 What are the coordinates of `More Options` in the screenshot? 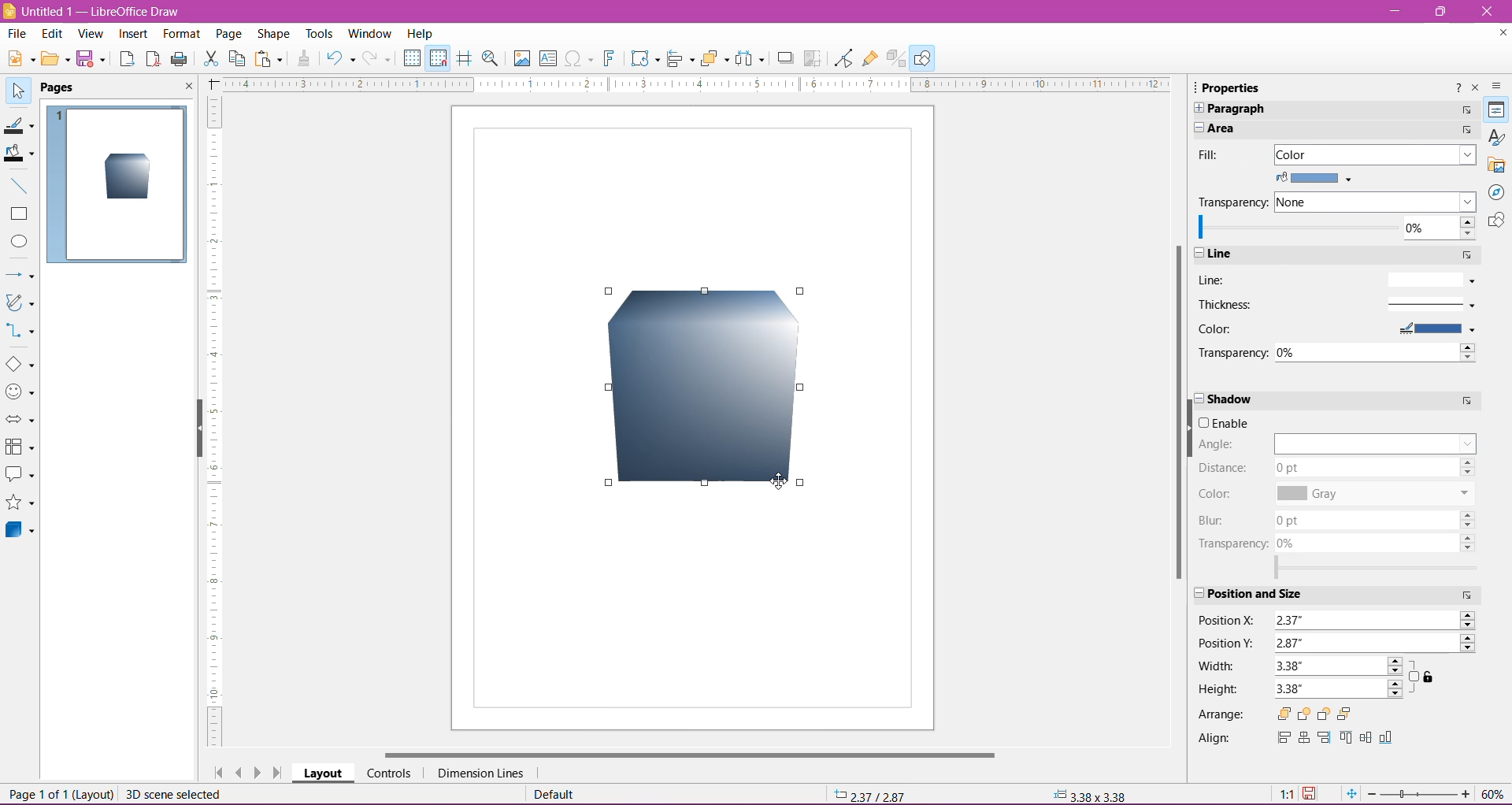 It's located at (1466, 112).